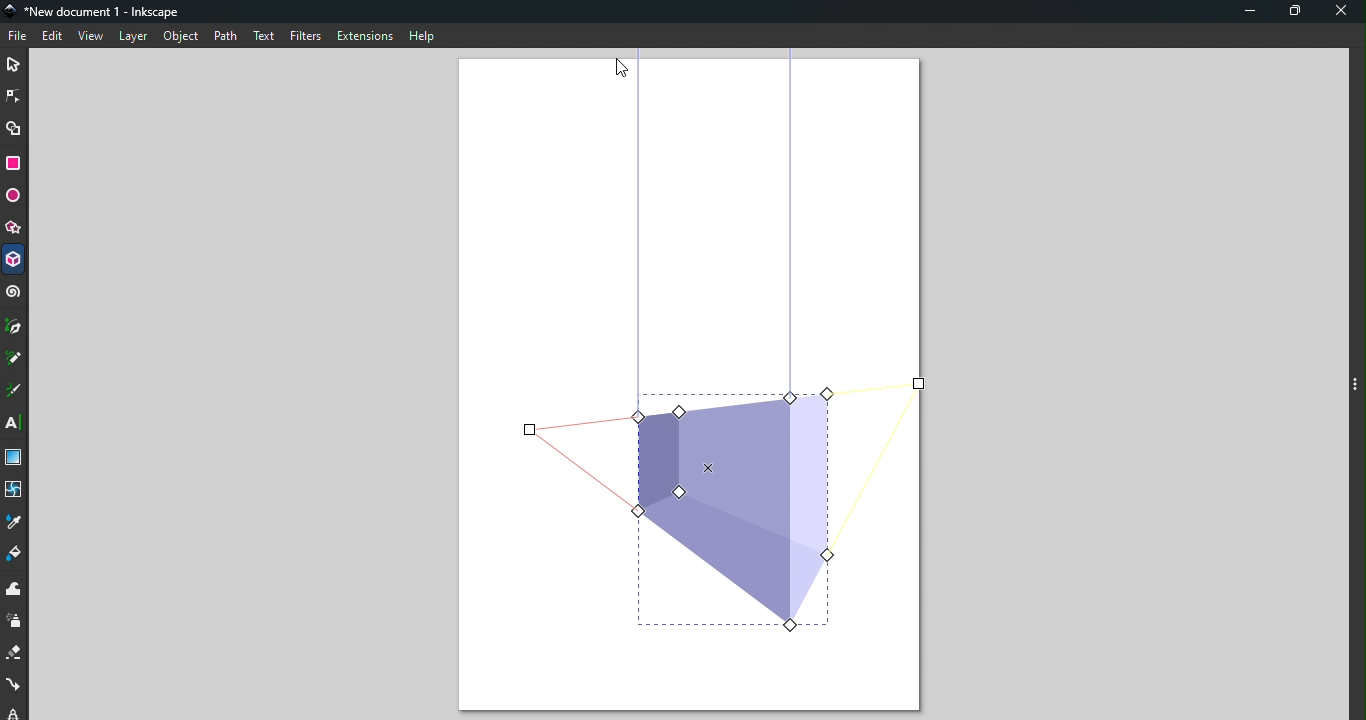 This screenshot has width=1366, height=720. What do you see at coordinates (133, 38) in the screenshot?
I see `Layer` at bounding box center [133, 38].